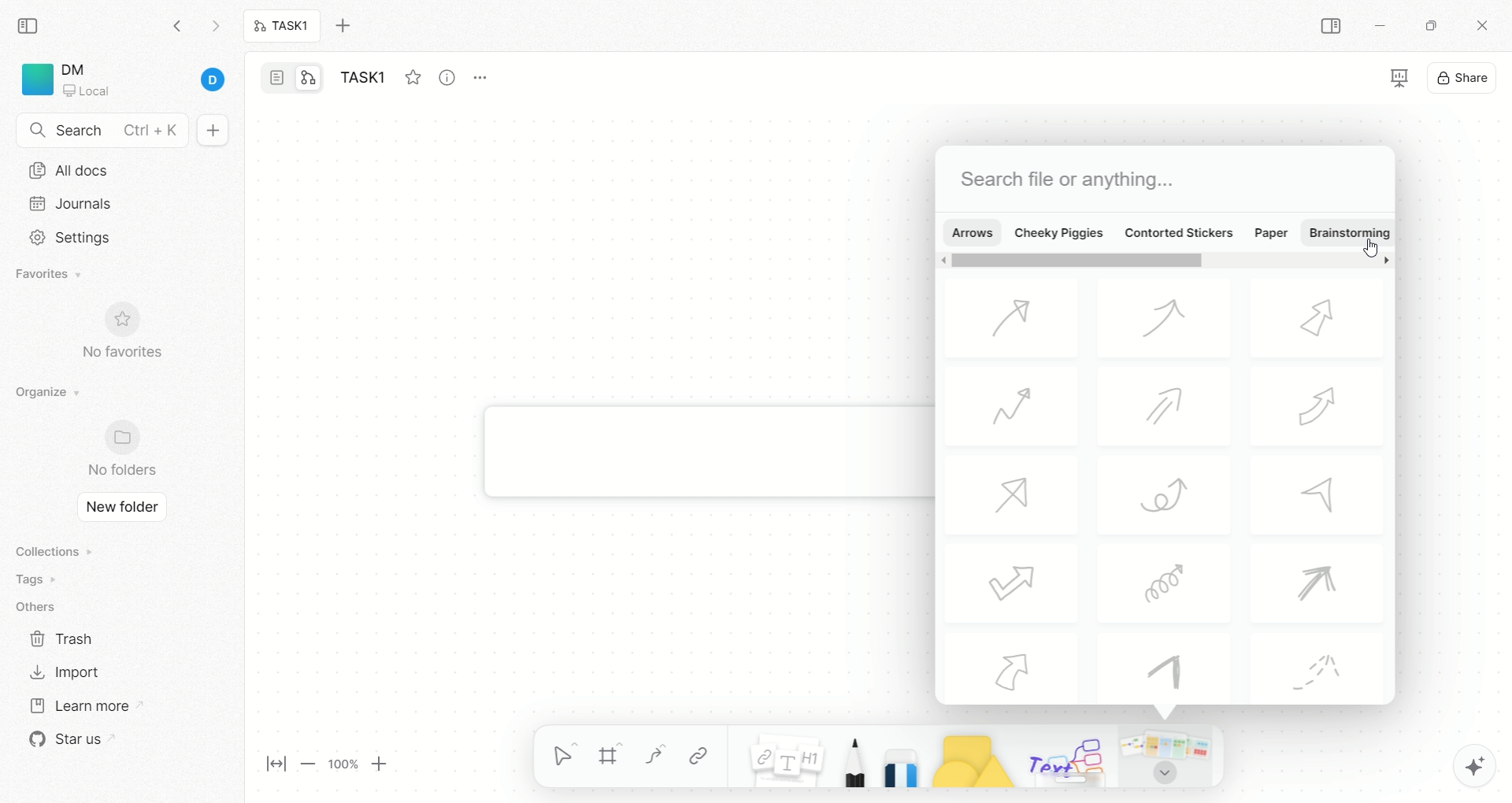  I want to click on trash, so click(63, 638).